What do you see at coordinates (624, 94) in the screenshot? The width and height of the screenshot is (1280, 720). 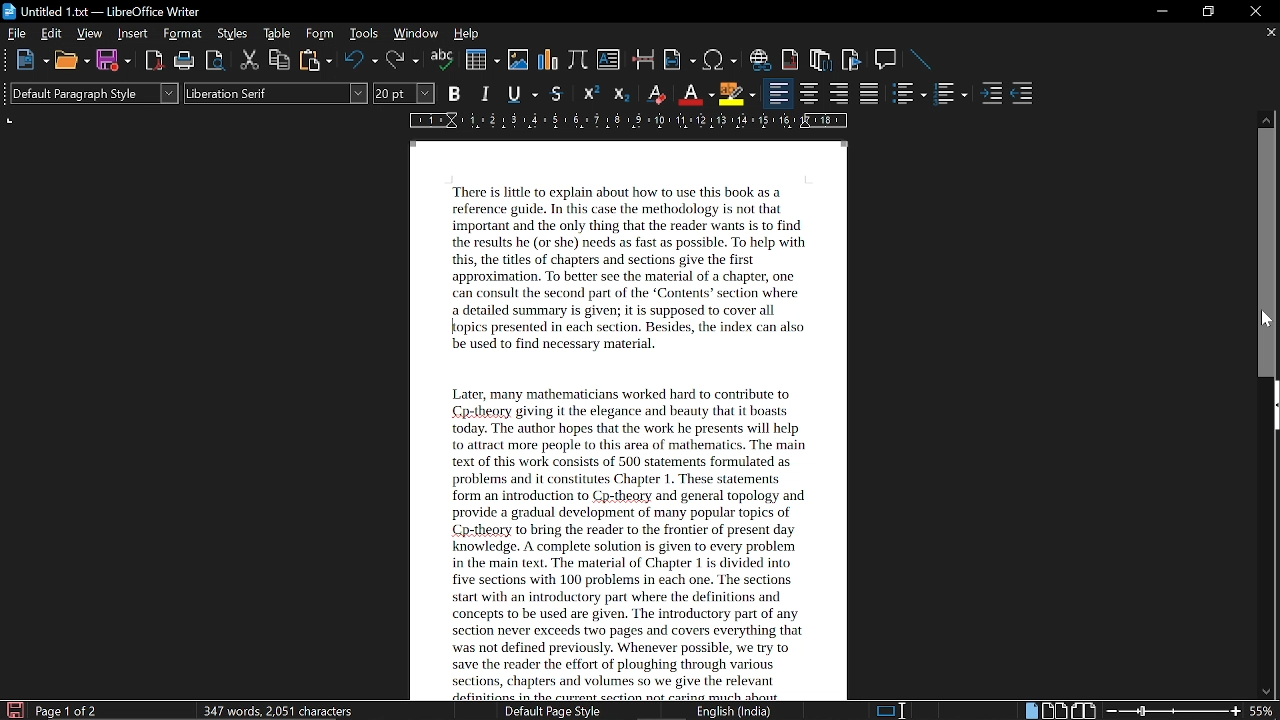 I see `subscript` at bounding box center [624, 94].